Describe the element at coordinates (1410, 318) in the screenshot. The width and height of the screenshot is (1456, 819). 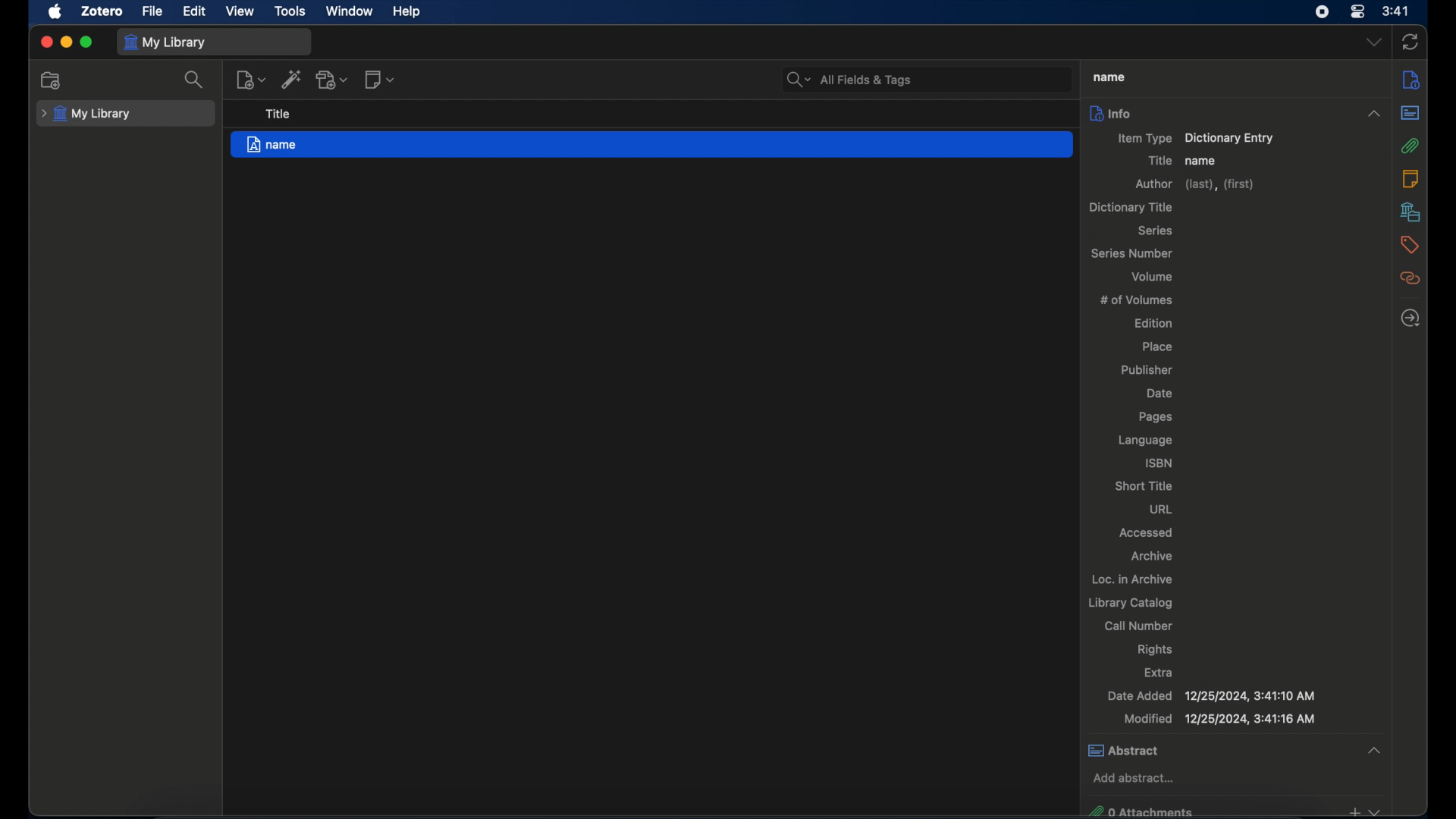
I see `locate` at that location.